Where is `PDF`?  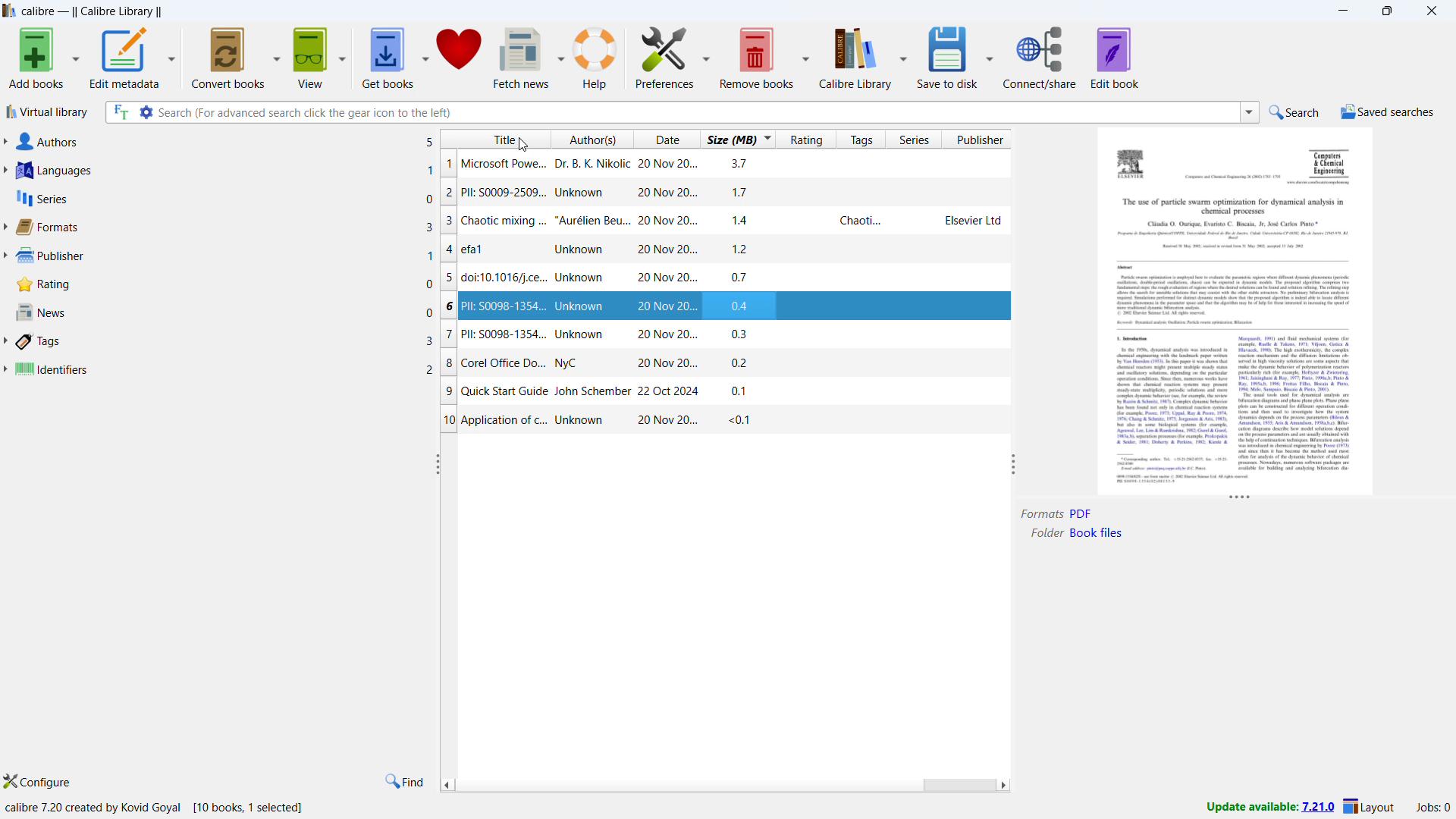
PDF is located at coordinates (1084, 513).